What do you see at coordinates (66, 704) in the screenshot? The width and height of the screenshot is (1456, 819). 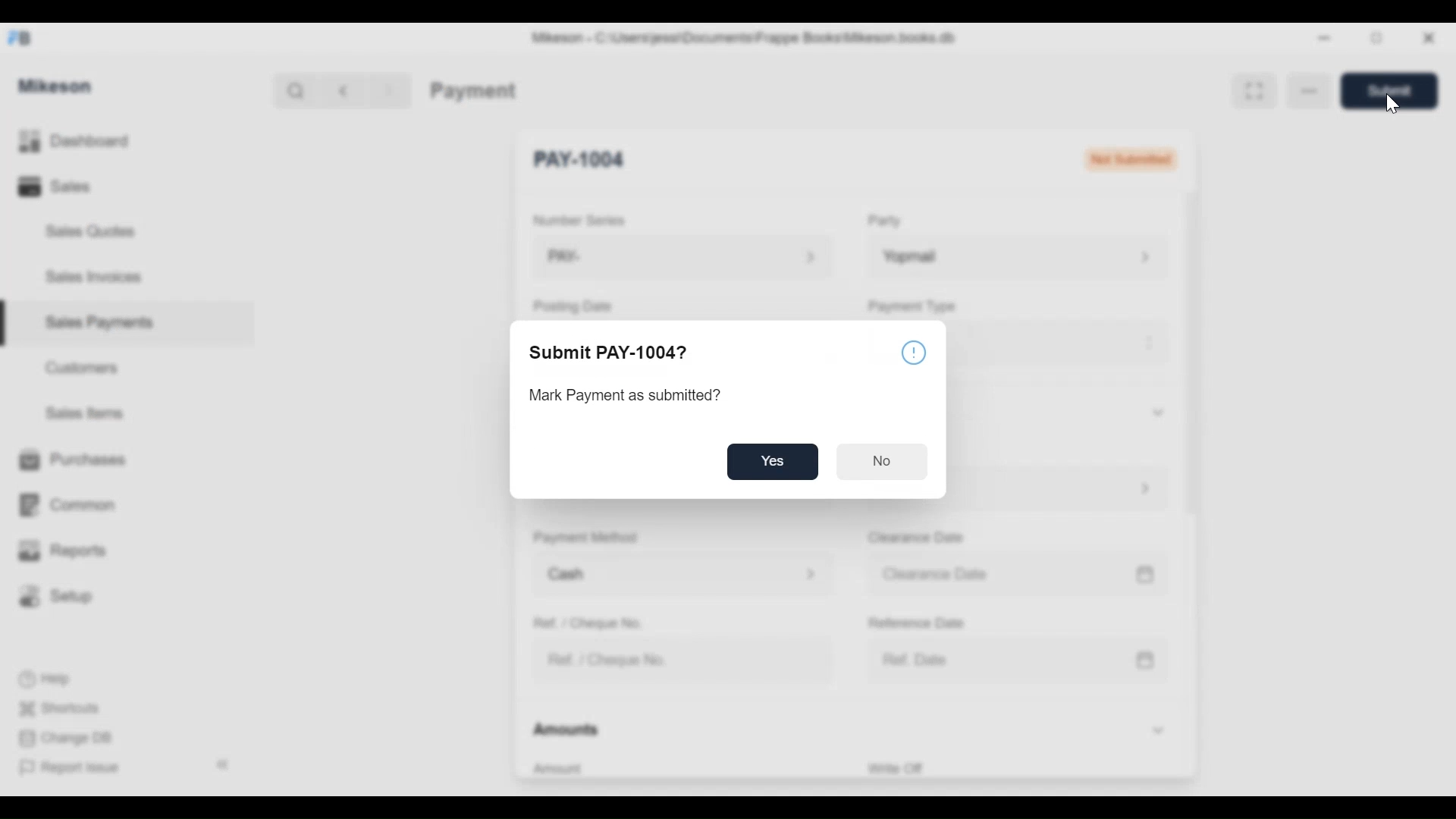 I see `Shortcuts` at bounding box center [66, 704].